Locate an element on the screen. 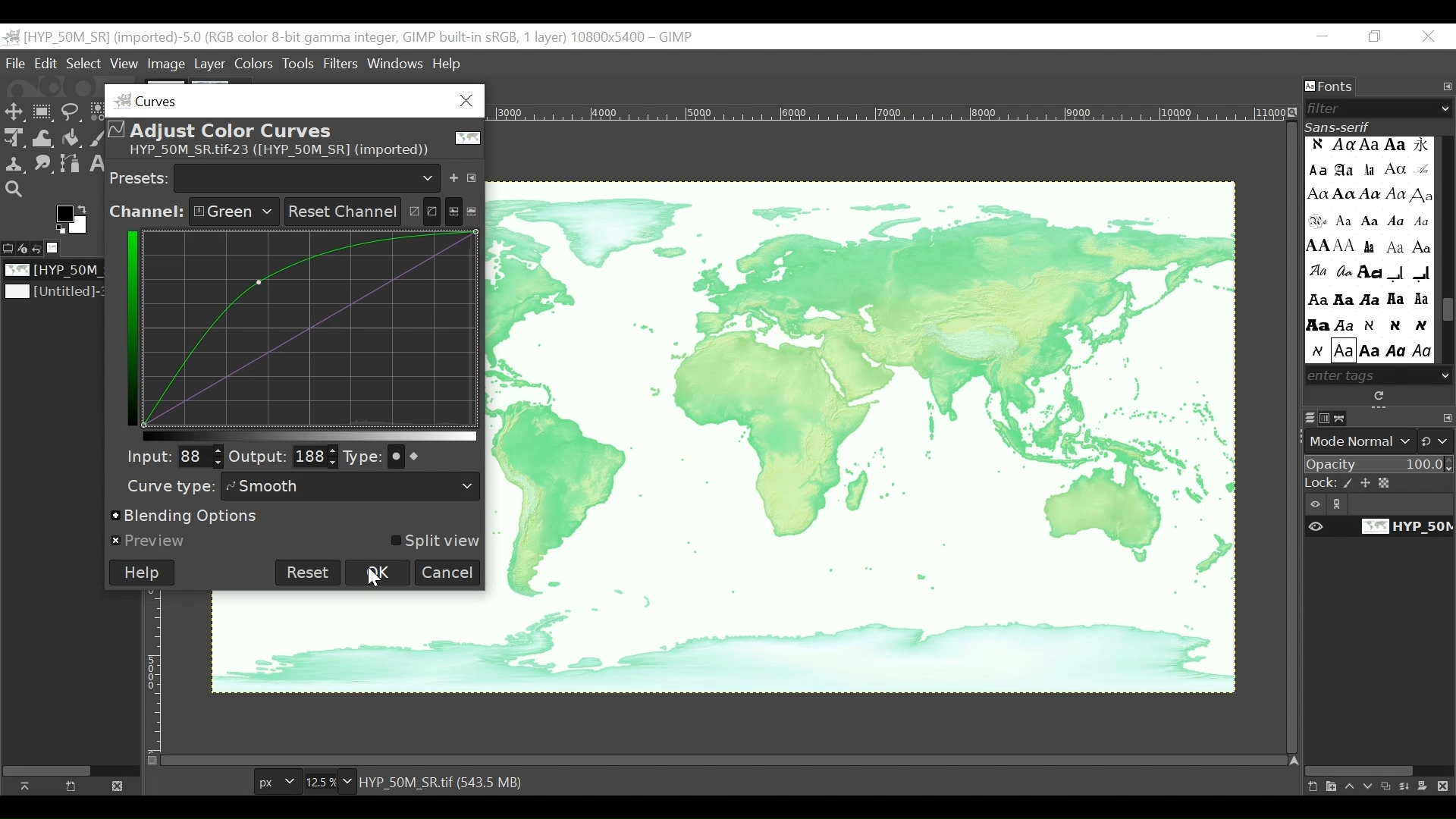 This screenshot has height=819, width=1456. Zoom Tool is located at coordinates (15, 190).